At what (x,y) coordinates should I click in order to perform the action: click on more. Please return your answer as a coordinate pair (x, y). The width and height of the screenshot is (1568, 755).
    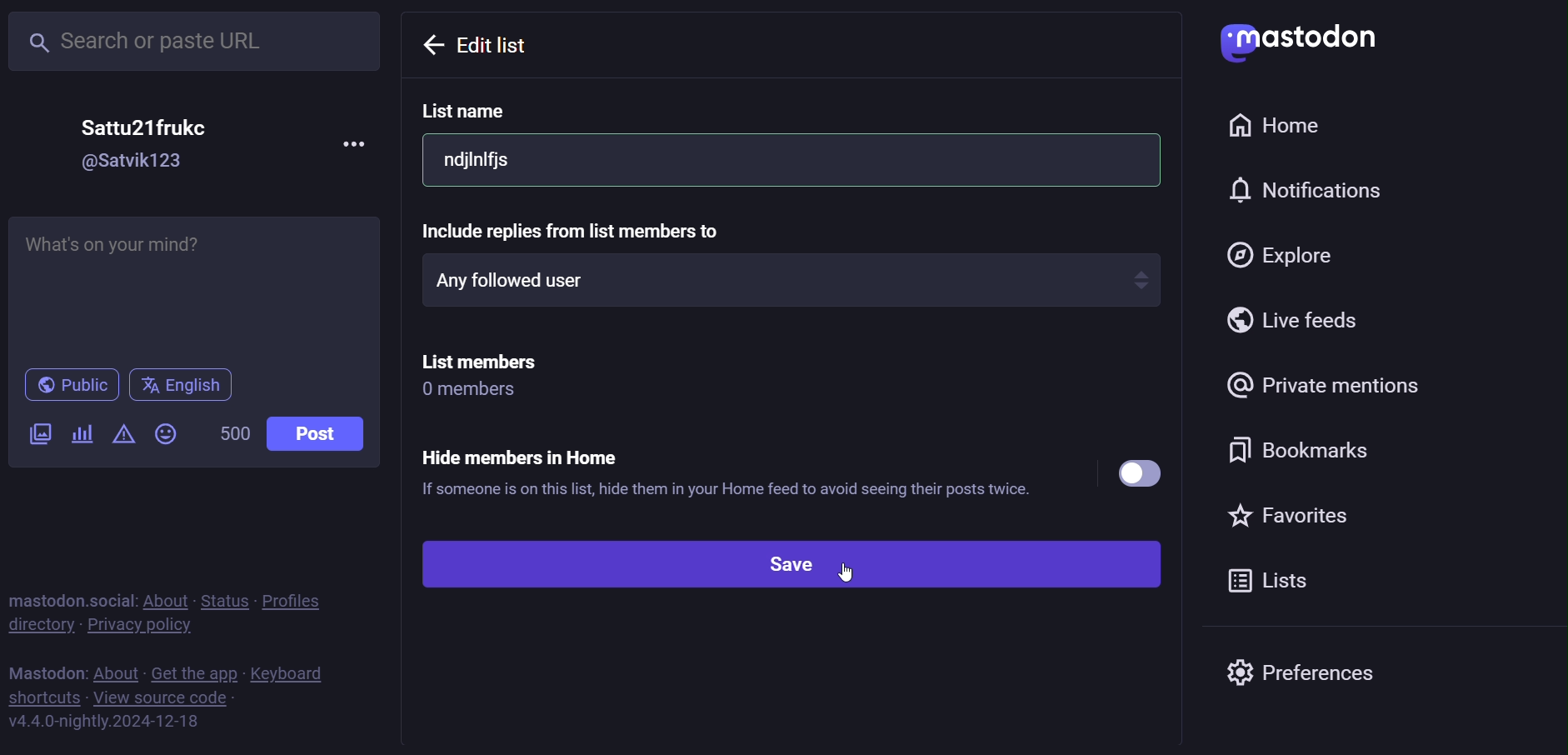
    Looking at the image, I should click on (351, 144).